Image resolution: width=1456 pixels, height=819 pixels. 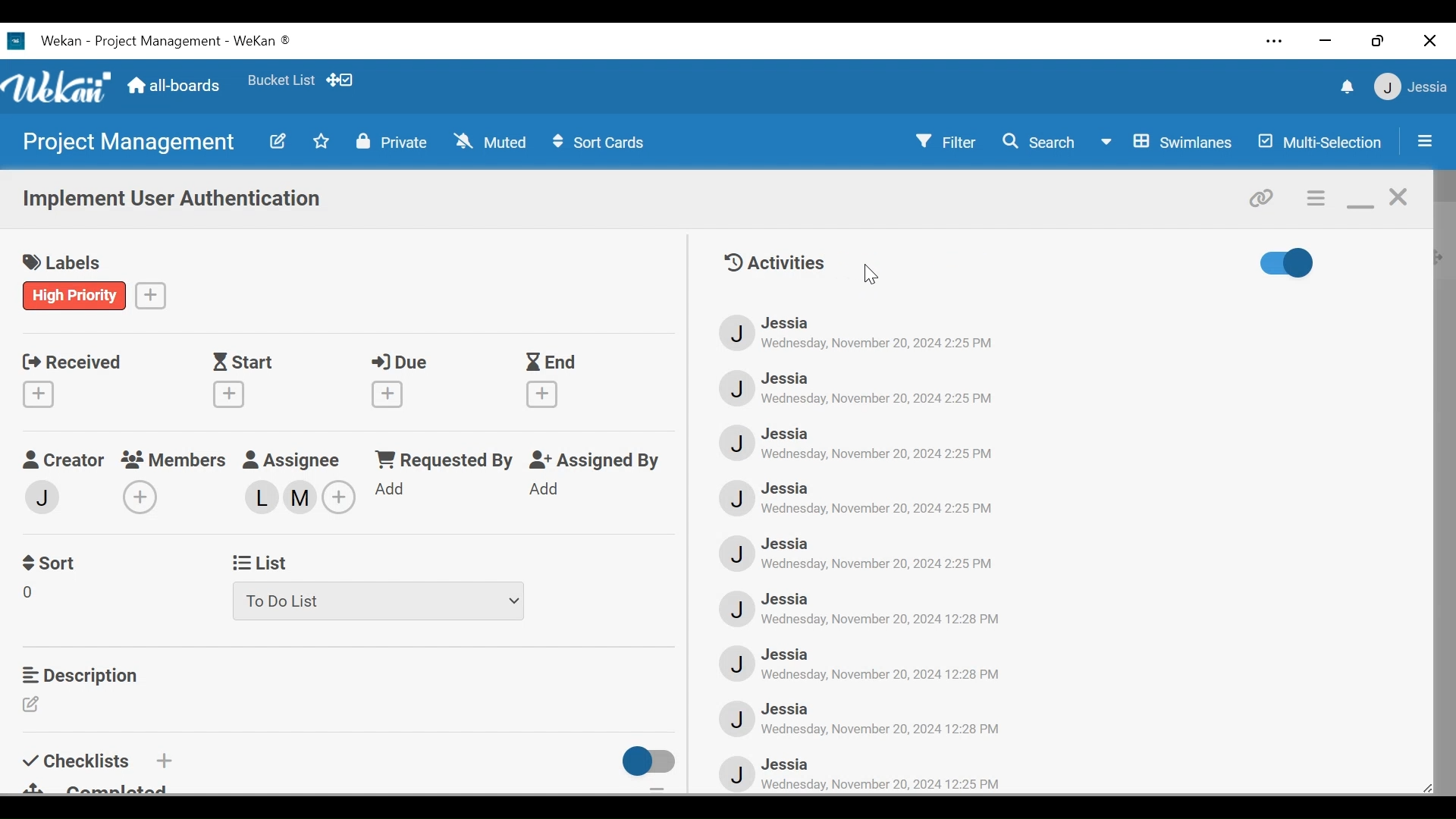 What do you see at coordinates (380, 601) in the screenshot?
I see `List dropdown menu` at bounding box center [380, 601].